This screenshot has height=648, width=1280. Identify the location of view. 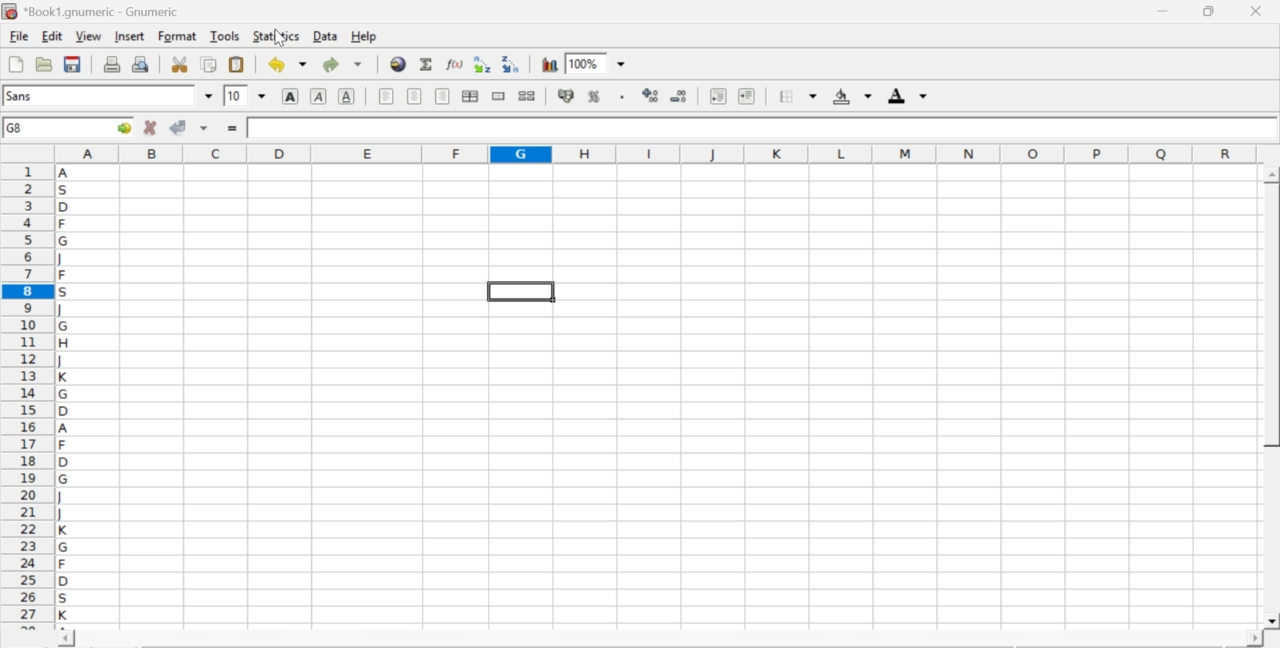
(88, 35).